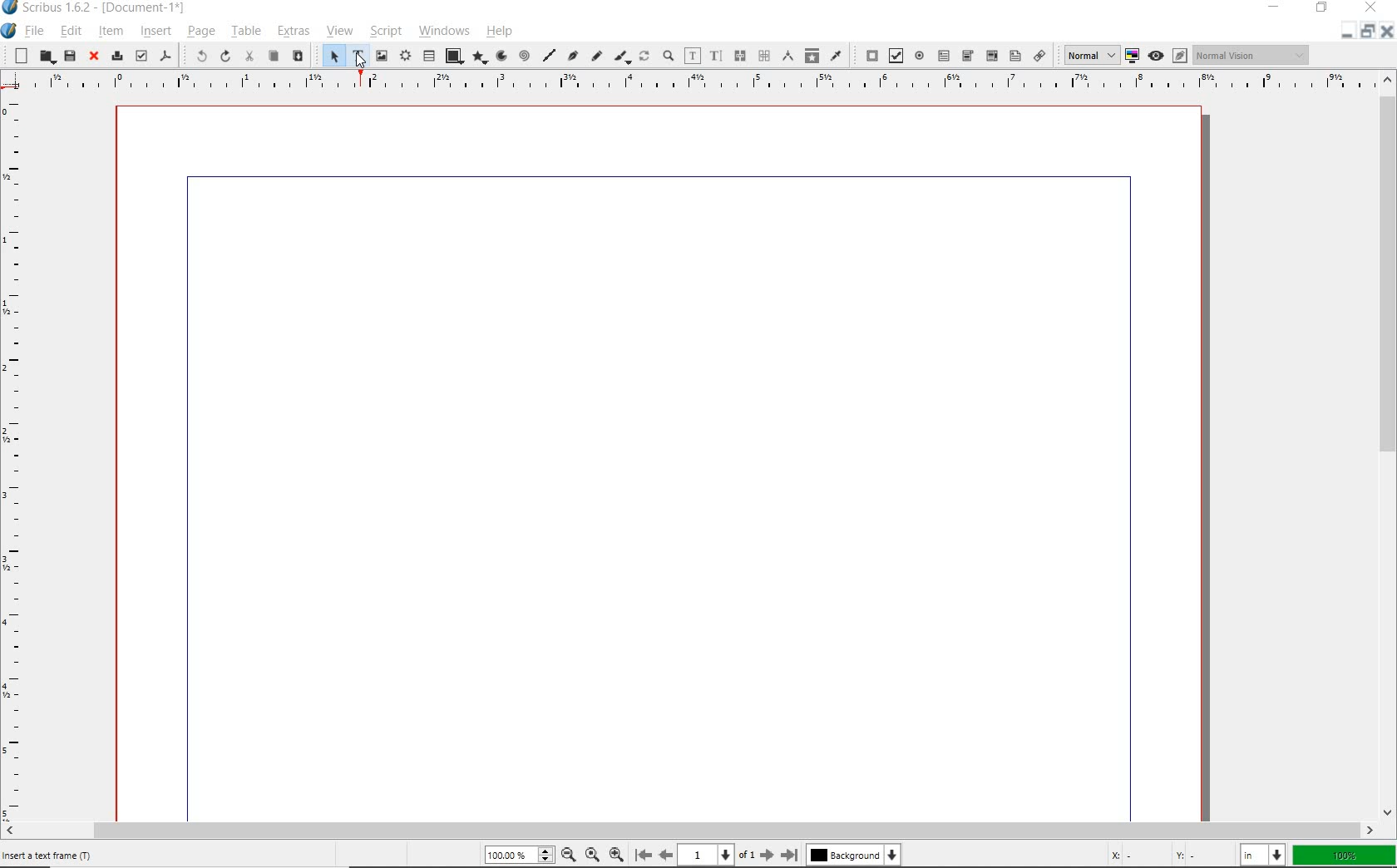 The height and width of the screenshot is (868, 1397). Describe the element at coordinates (1263, 856) in the screenshot. I see `select unit: in` at that location.